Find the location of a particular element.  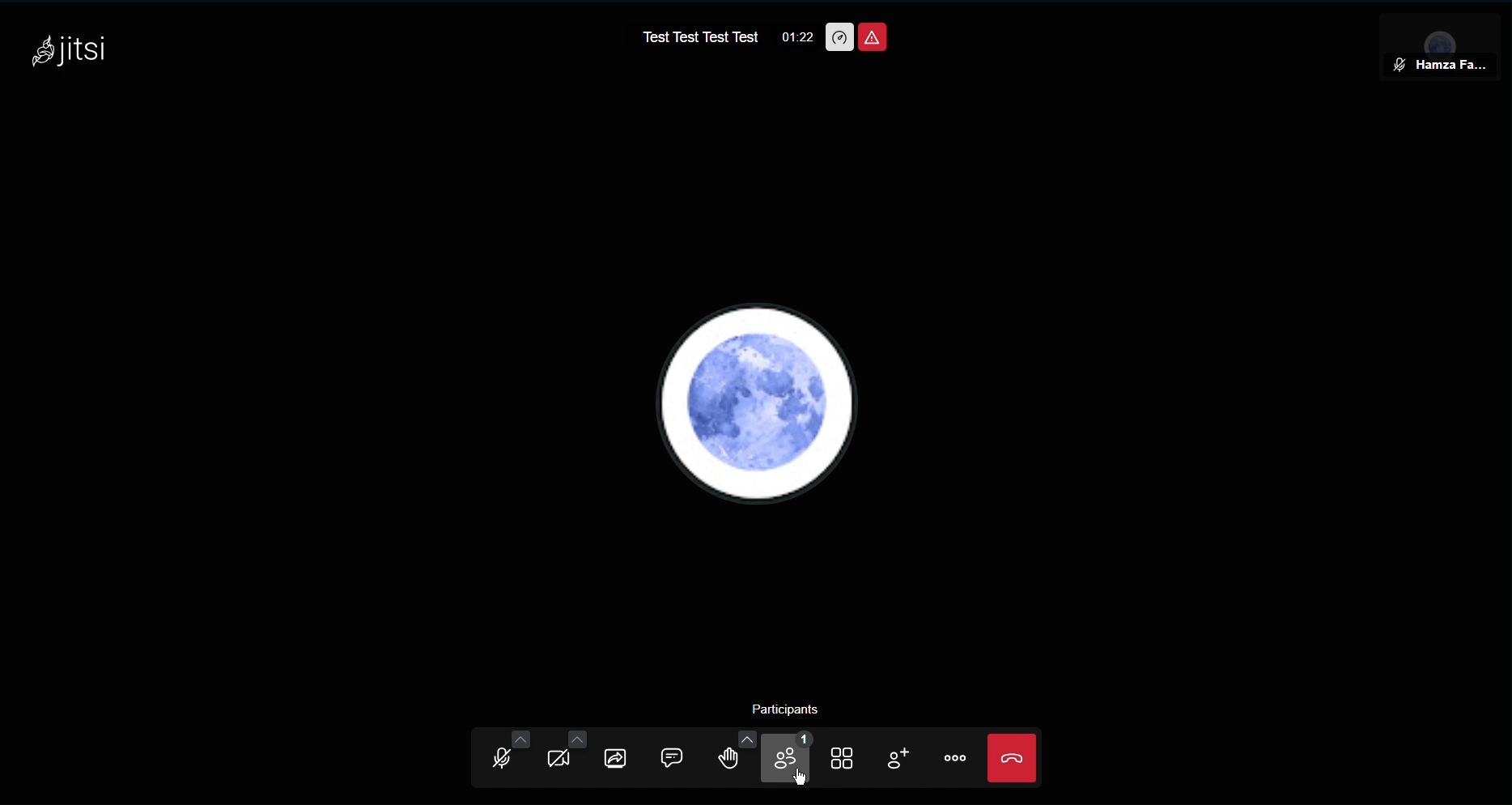

Meeting Unsafe is located at coordinates (874, 35).